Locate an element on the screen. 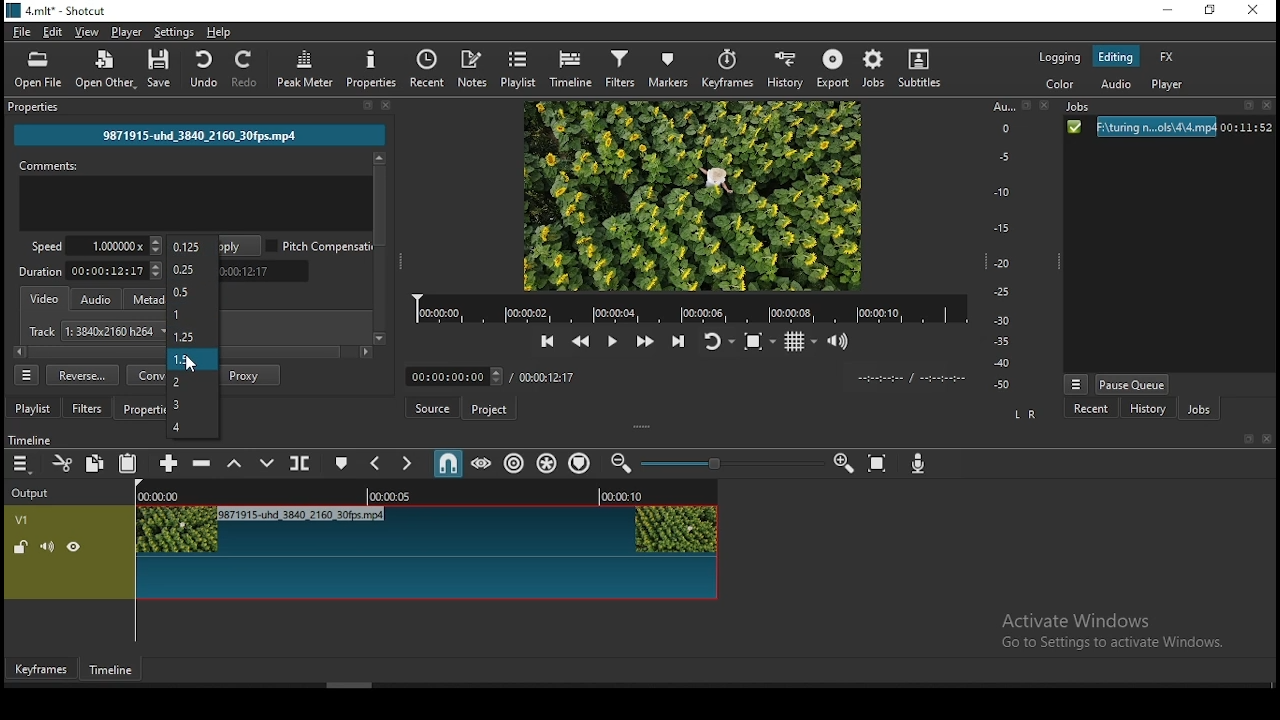 This screenshot has height=720, width=1280. track is located at coordinates (93, 331).